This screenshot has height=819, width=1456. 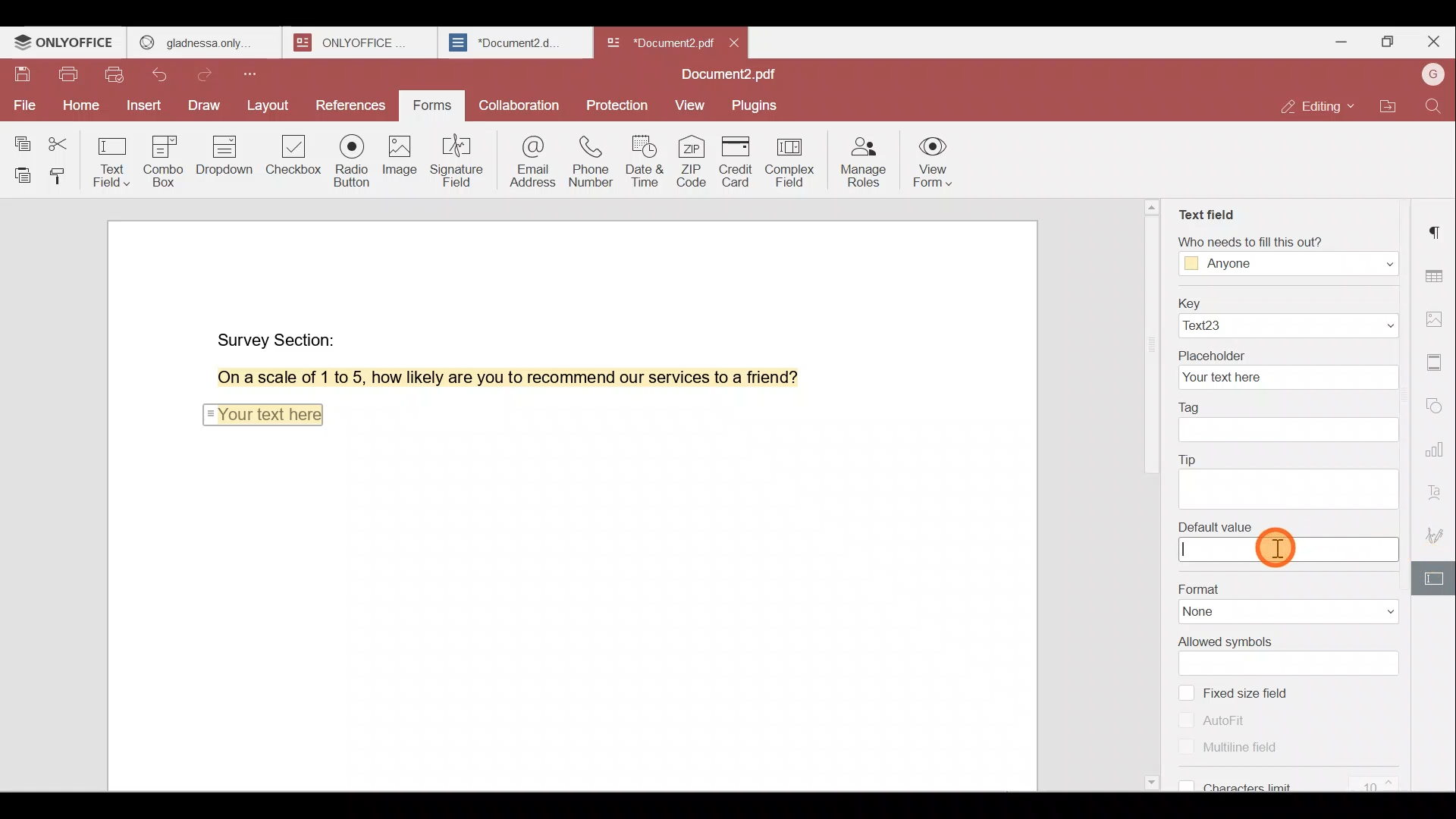 I want to click on Format, so click(x=1283, y=600).